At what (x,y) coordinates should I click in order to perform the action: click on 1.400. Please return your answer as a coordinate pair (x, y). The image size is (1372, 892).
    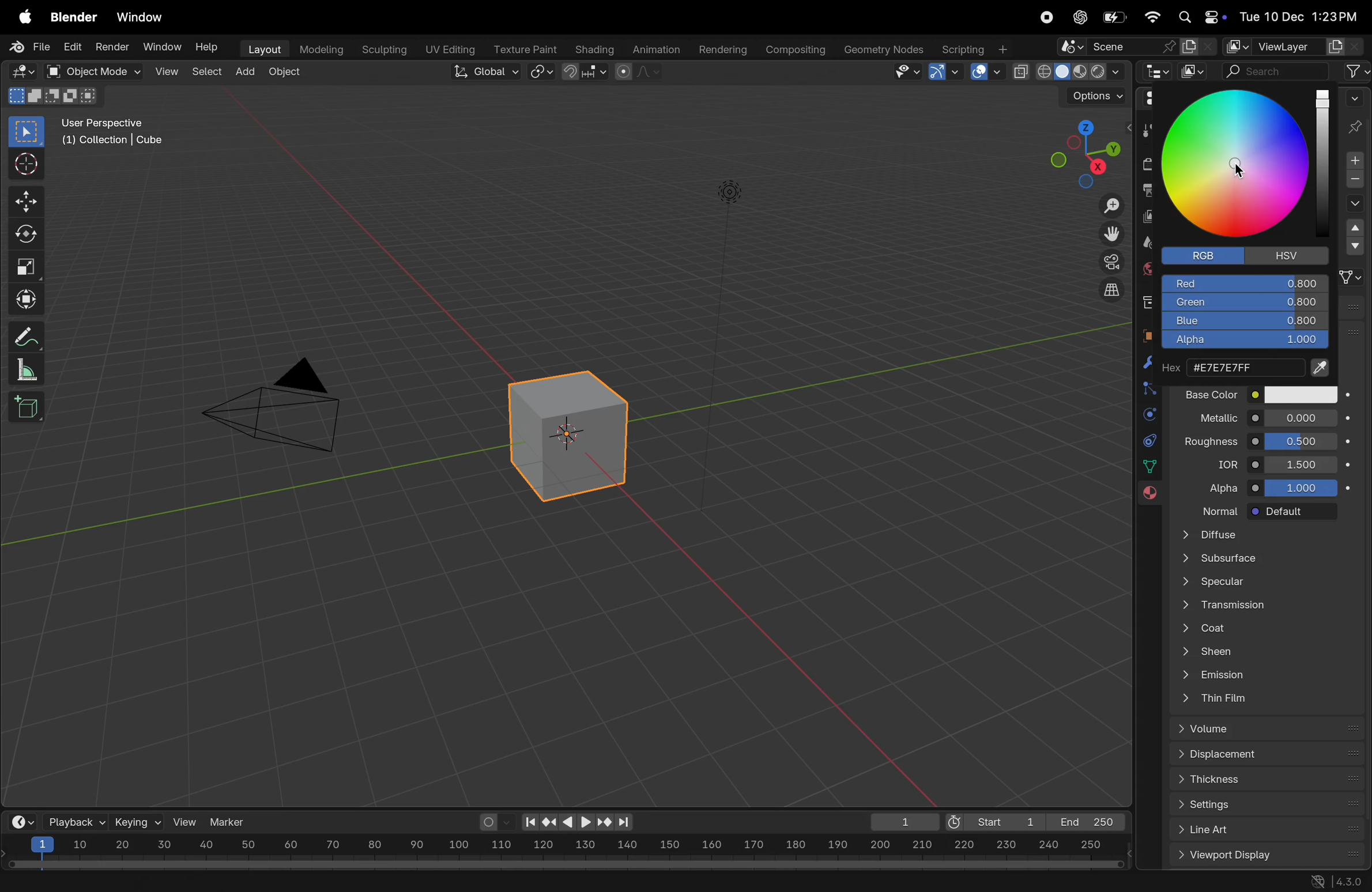
    Looking at the image, I should click on (1304, 463).